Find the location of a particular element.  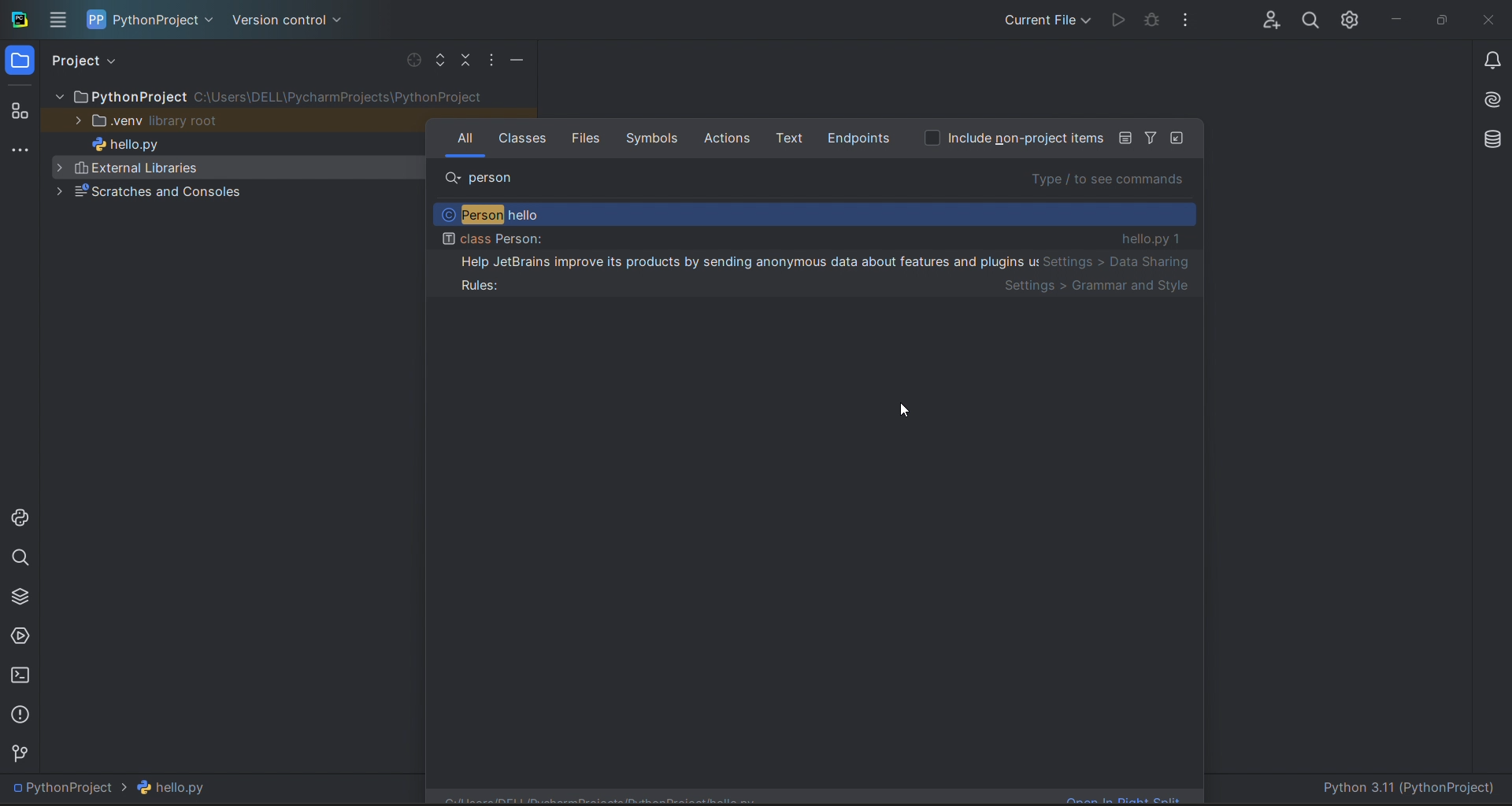

database is located at coordinates (1494, 140).